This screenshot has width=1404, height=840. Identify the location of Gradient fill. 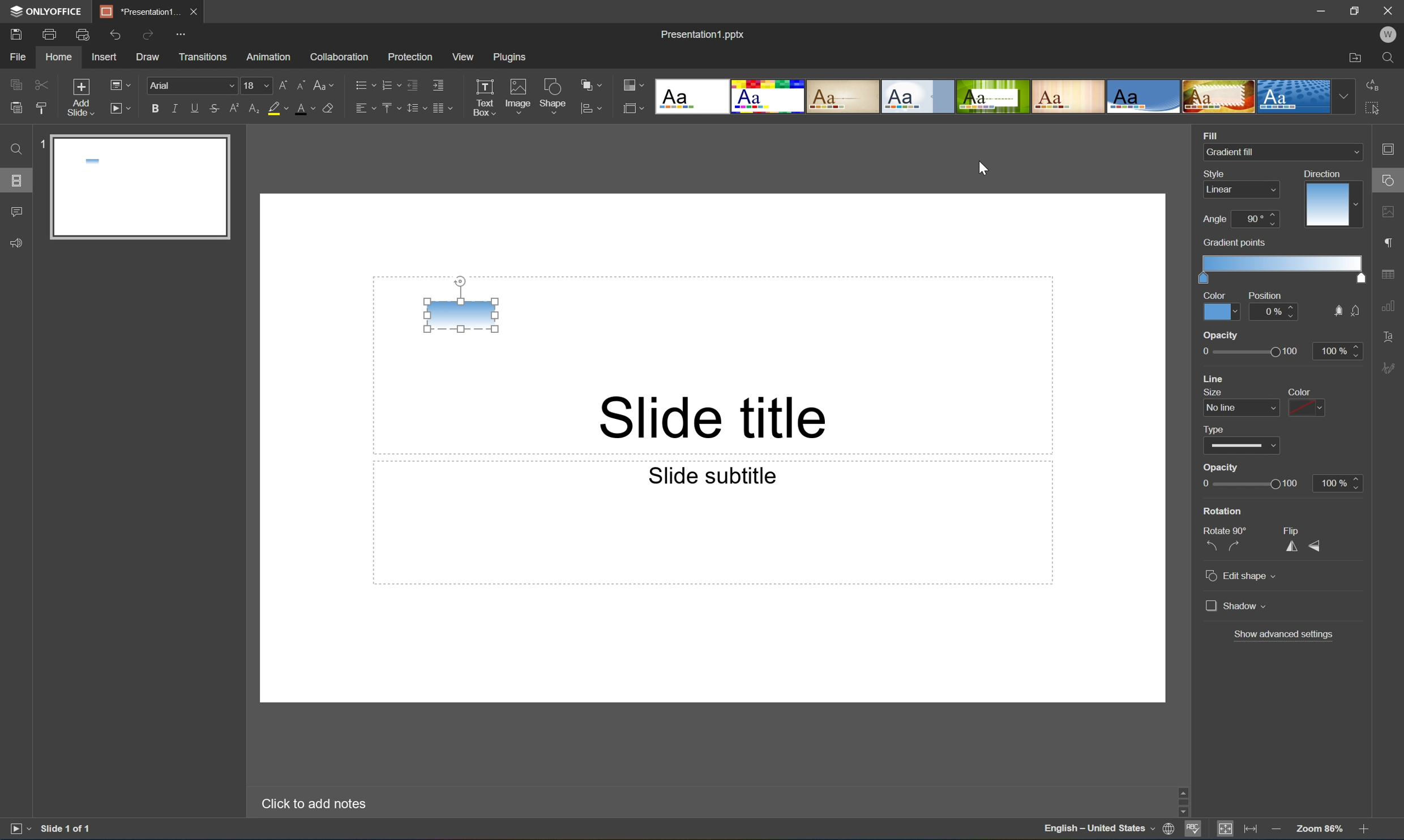
(1233, 152).